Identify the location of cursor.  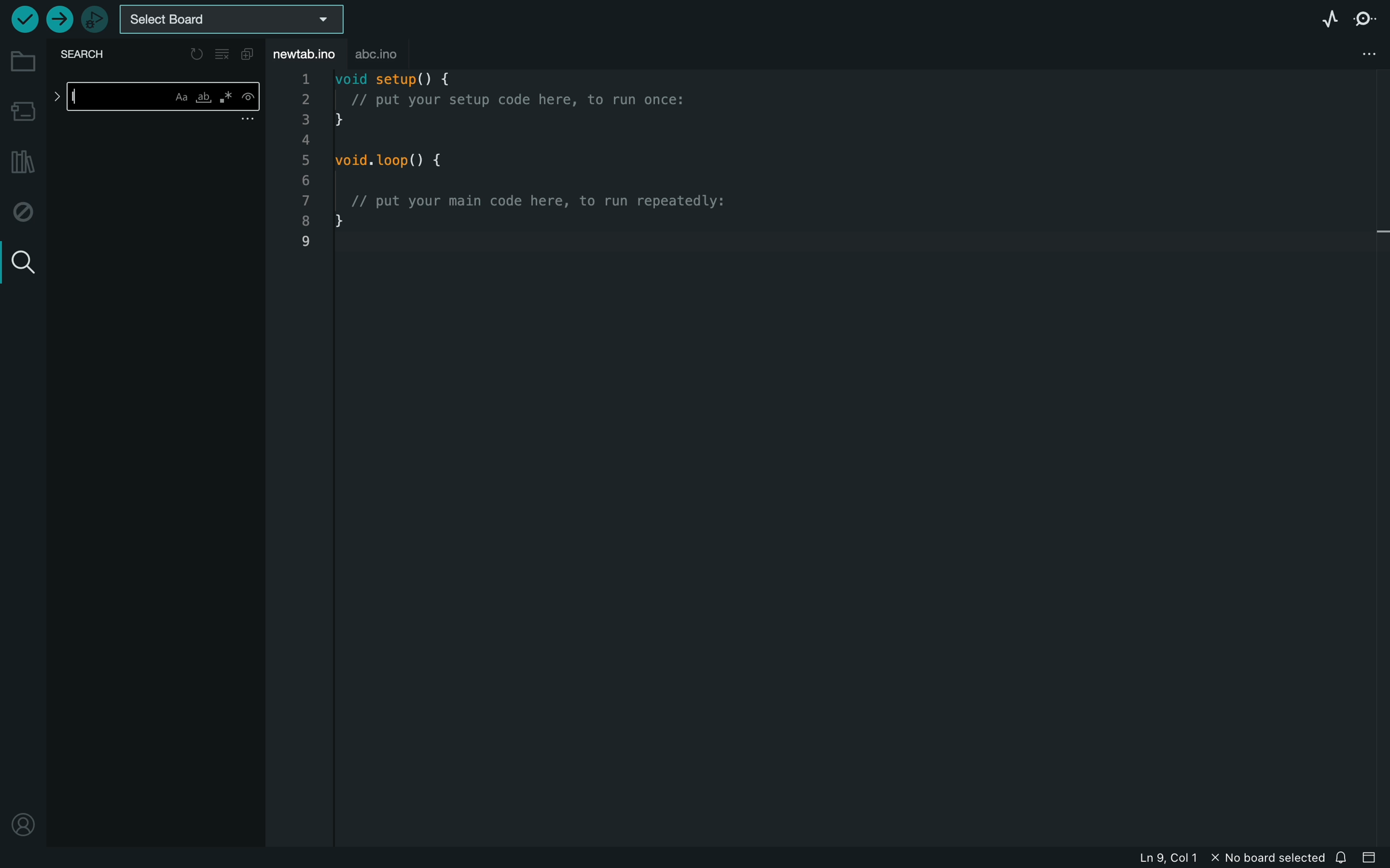
(83, 101).